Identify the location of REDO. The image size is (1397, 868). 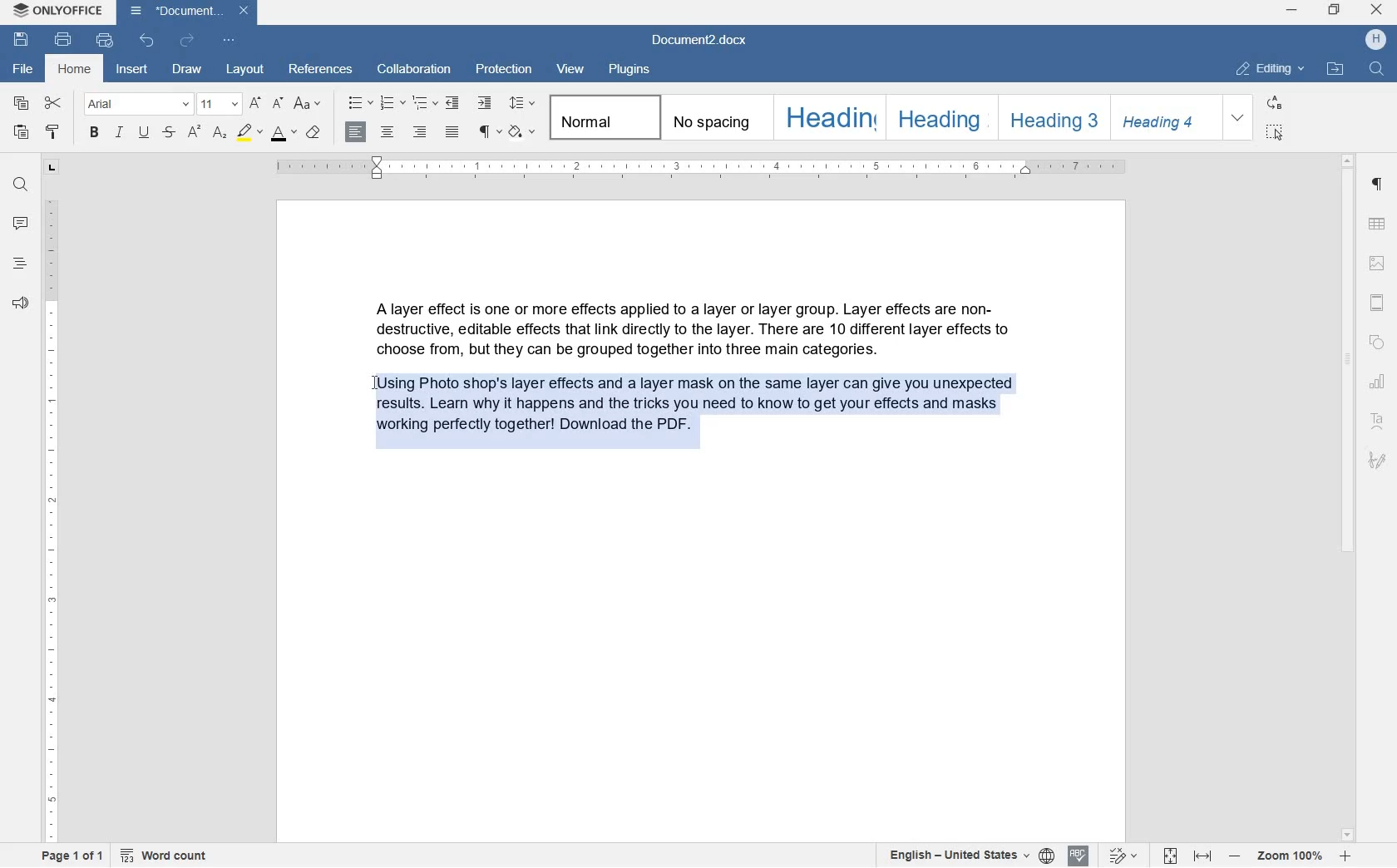
(186, 40).